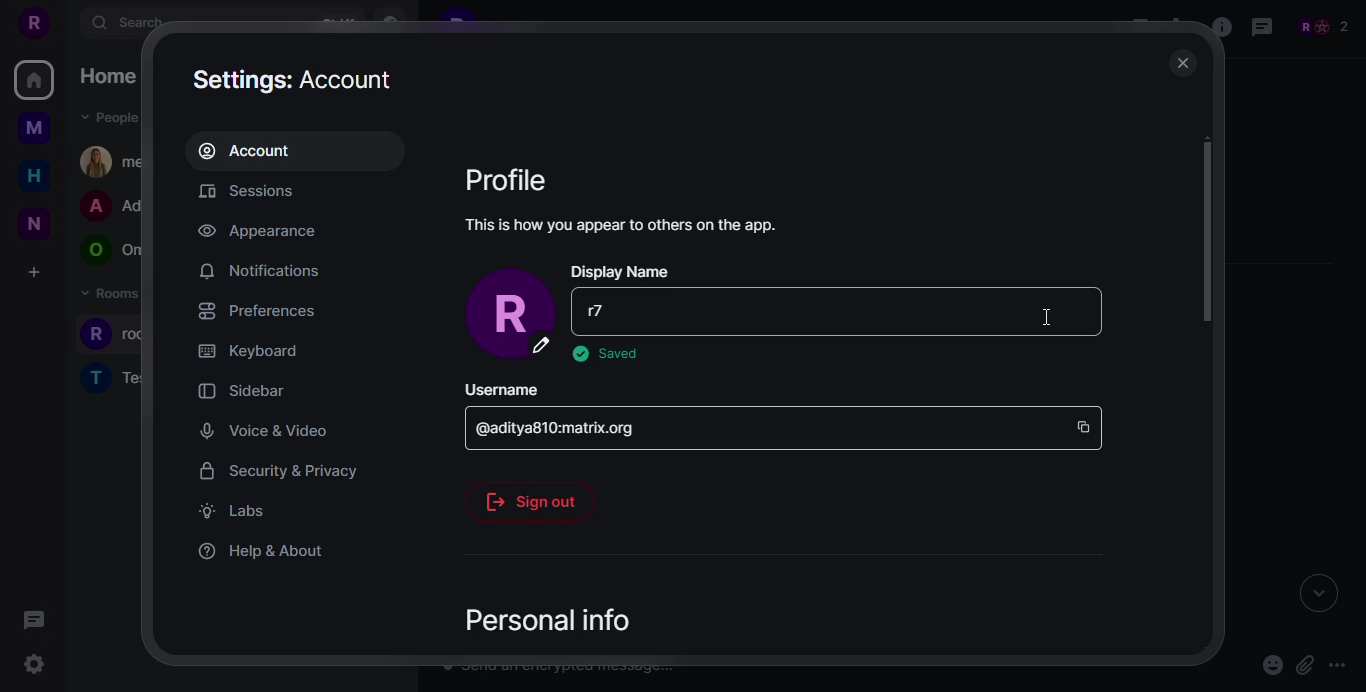 The image size is (1366, 692). What do you see at coordinates (127, 23) in the screenshot?
I see `search` at bounding box center [127, 23].